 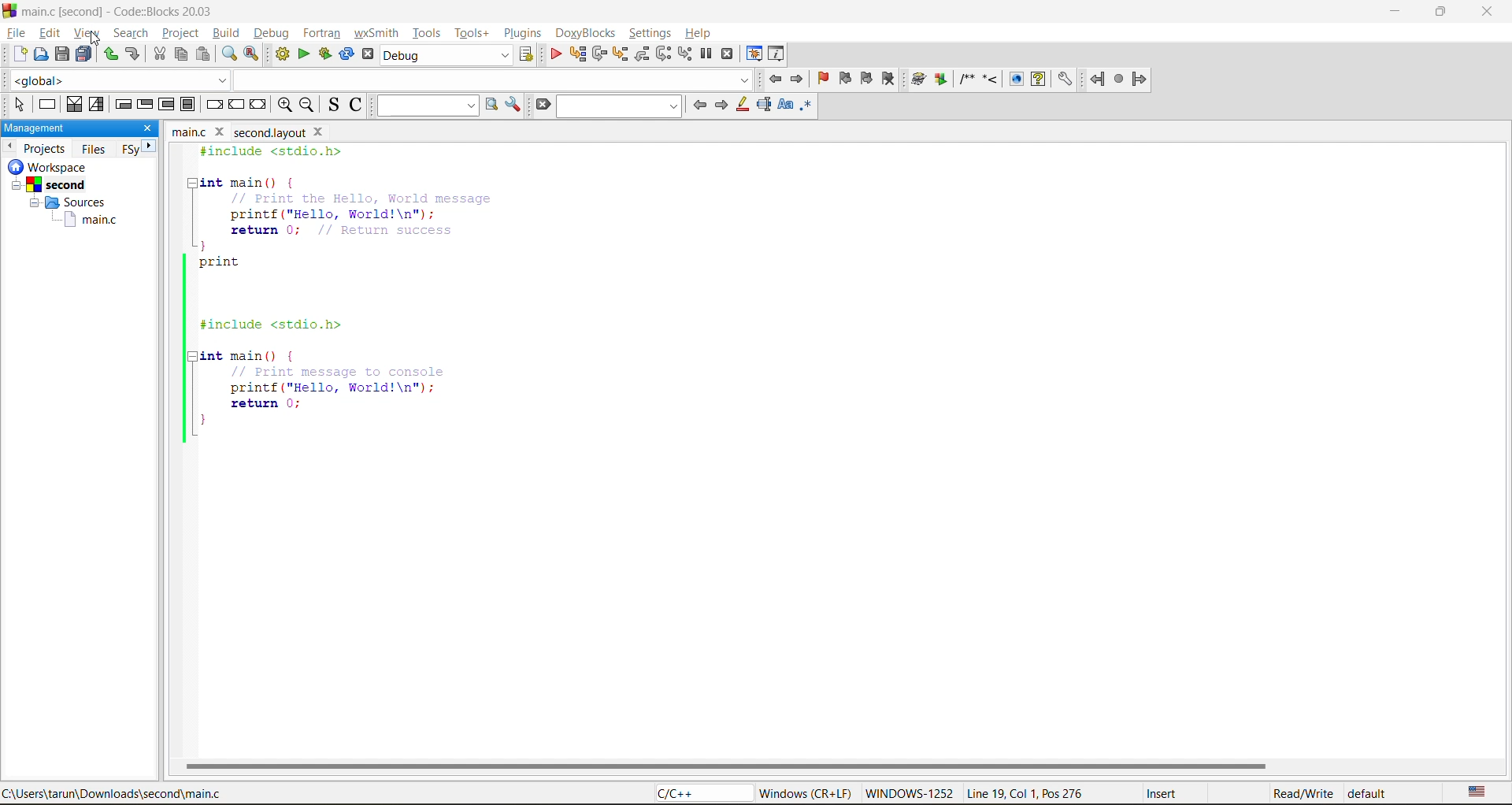 I want to click on save everything, so click(x=83, y=55).